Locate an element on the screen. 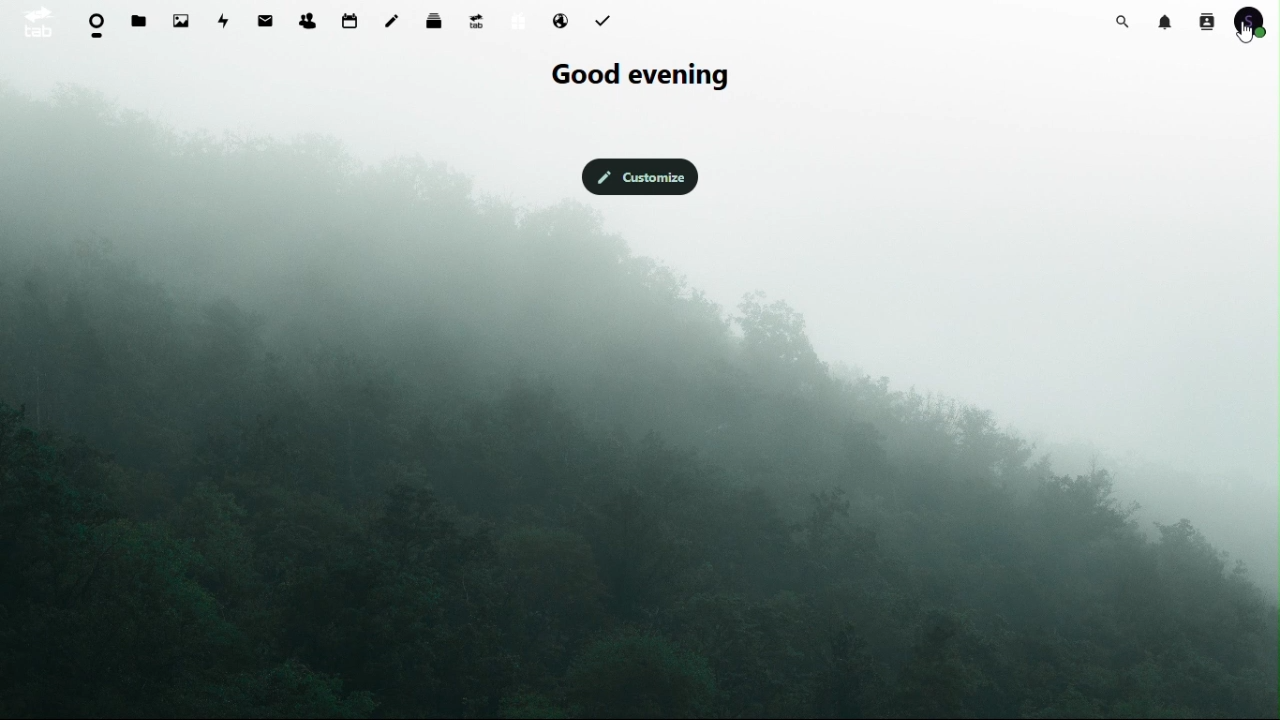 Image resolution: width=1280 pixels, height=720 pixels. Account icon is located at coordinates (1256, 21).